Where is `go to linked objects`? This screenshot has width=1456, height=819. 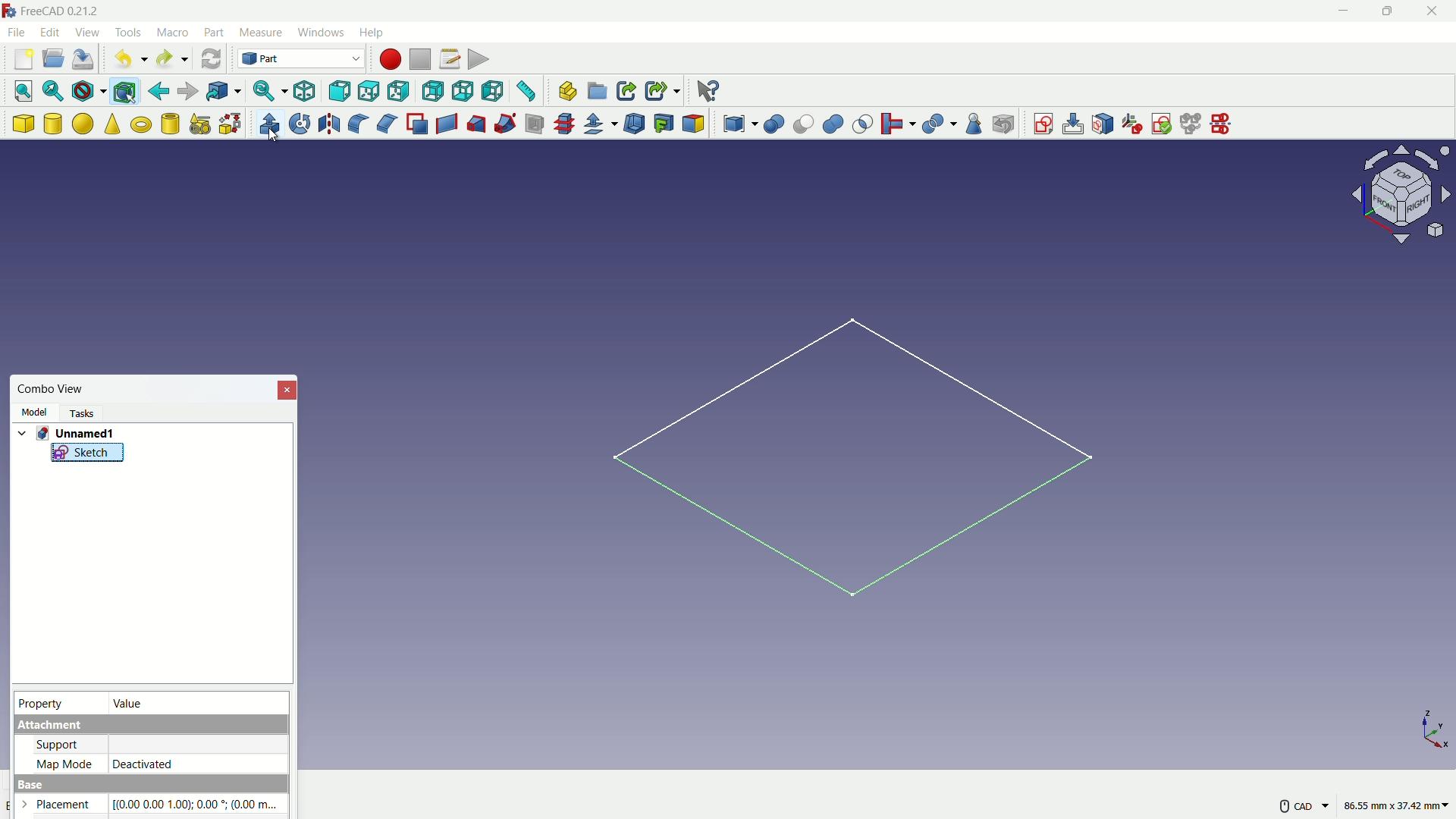
go to linked objects is located at coordinates (224, 90).